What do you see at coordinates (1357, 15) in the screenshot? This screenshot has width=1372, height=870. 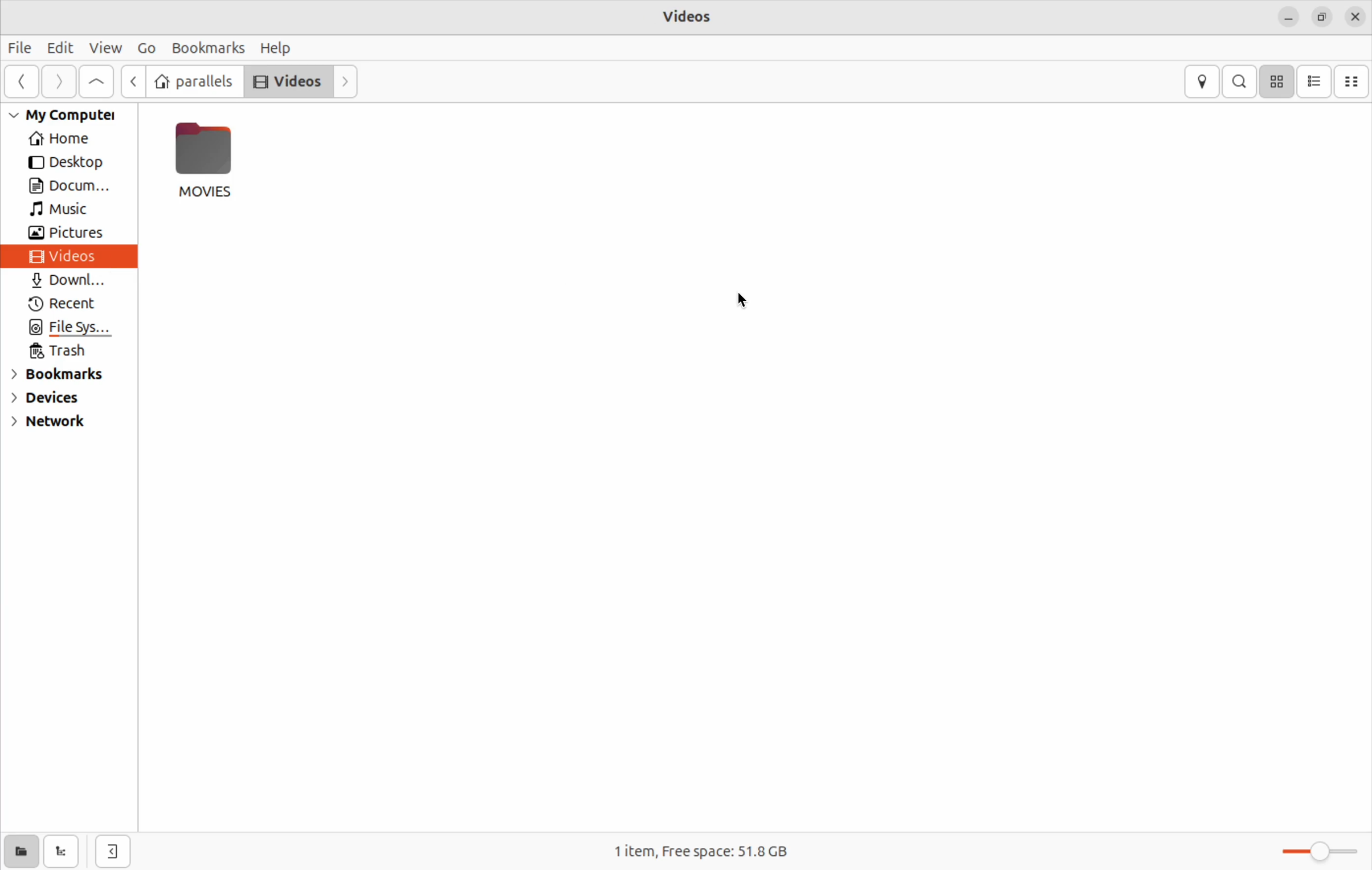 I see `close` at bounding box center [1357, 15].